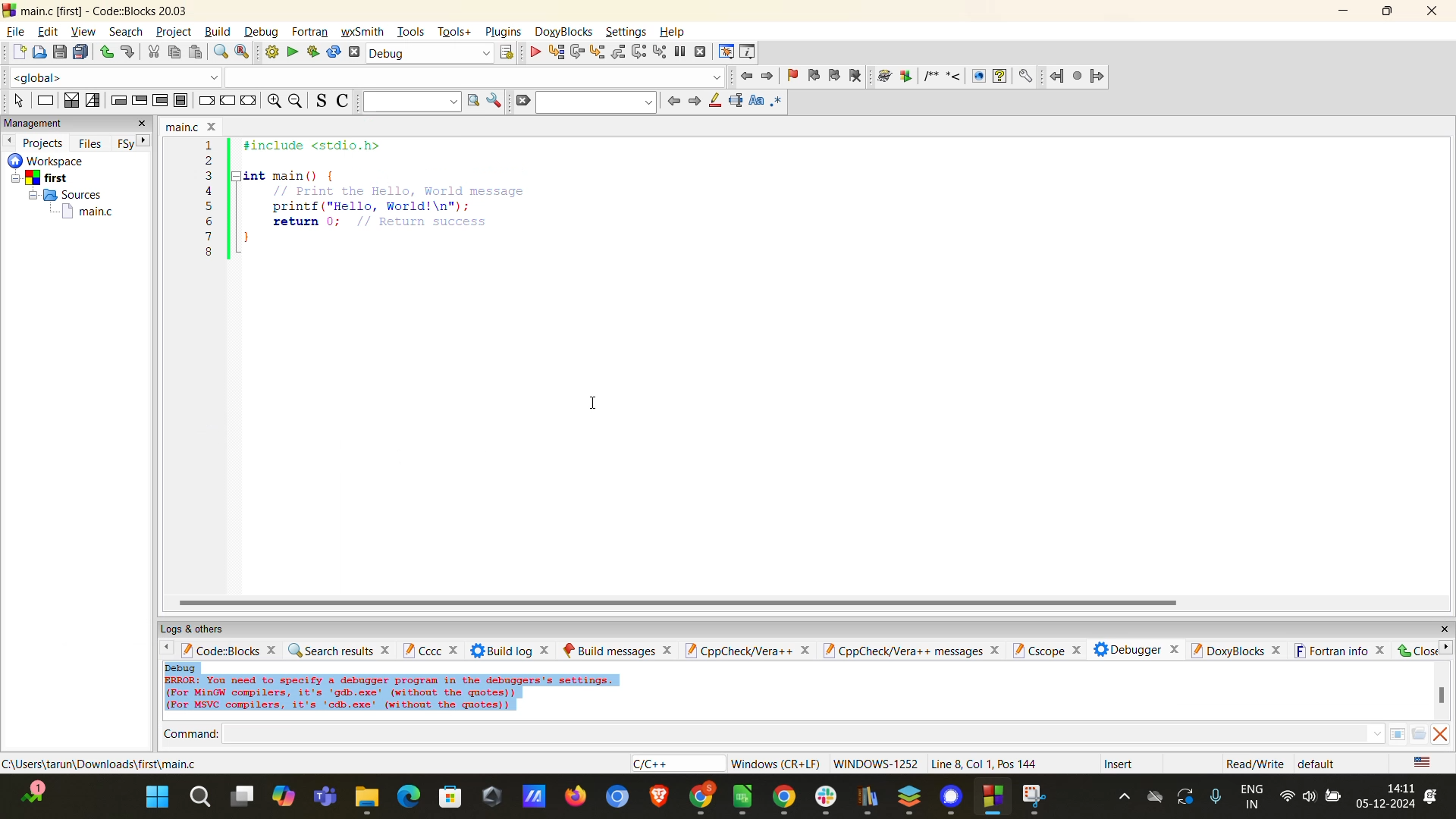 Image resolution: width=1456 pixels, height=819 pixels. I want to click on redo, so click(127, 54).